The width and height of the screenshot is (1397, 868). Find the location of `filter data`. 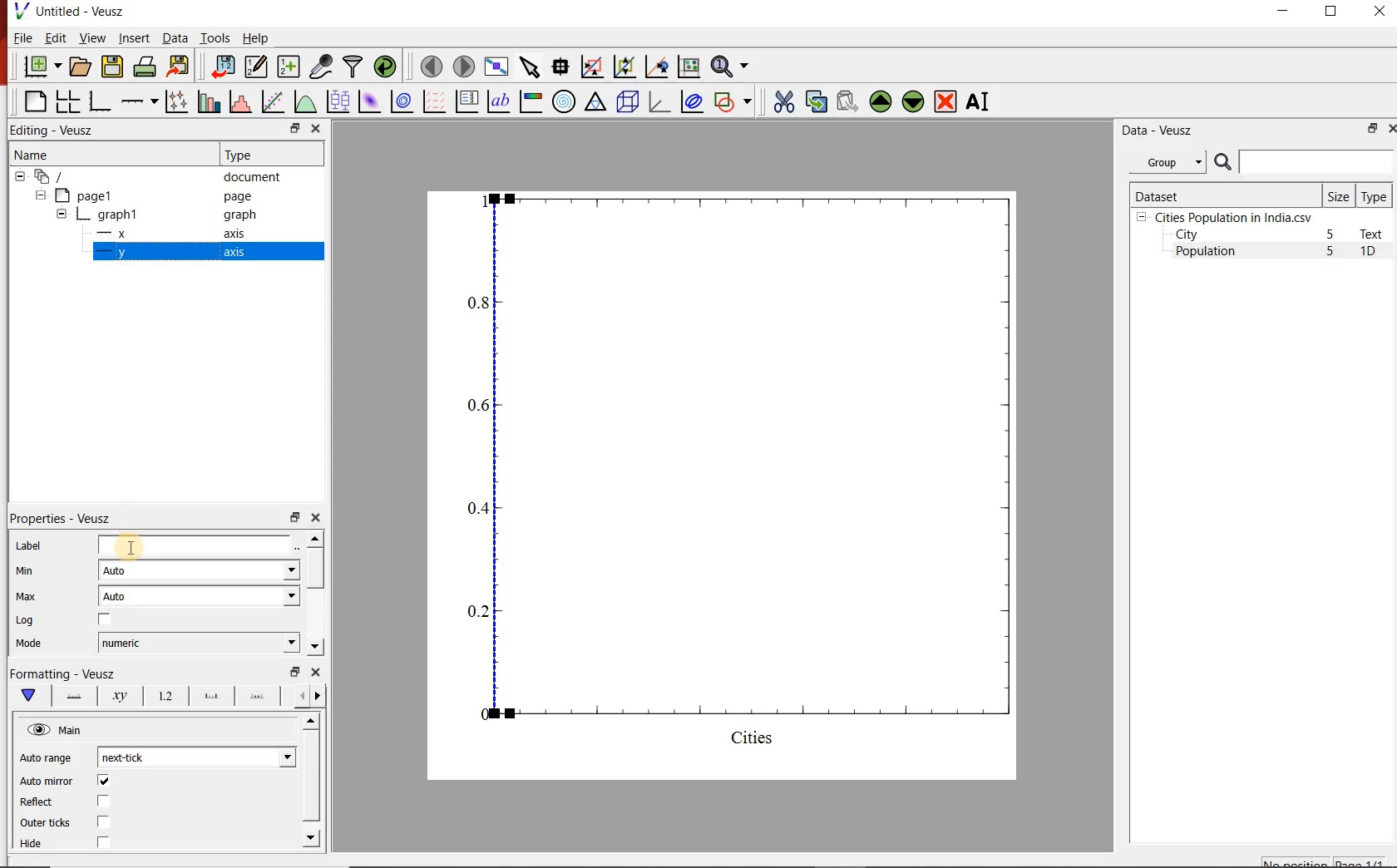

filter data is located at coordinates (353, 67).